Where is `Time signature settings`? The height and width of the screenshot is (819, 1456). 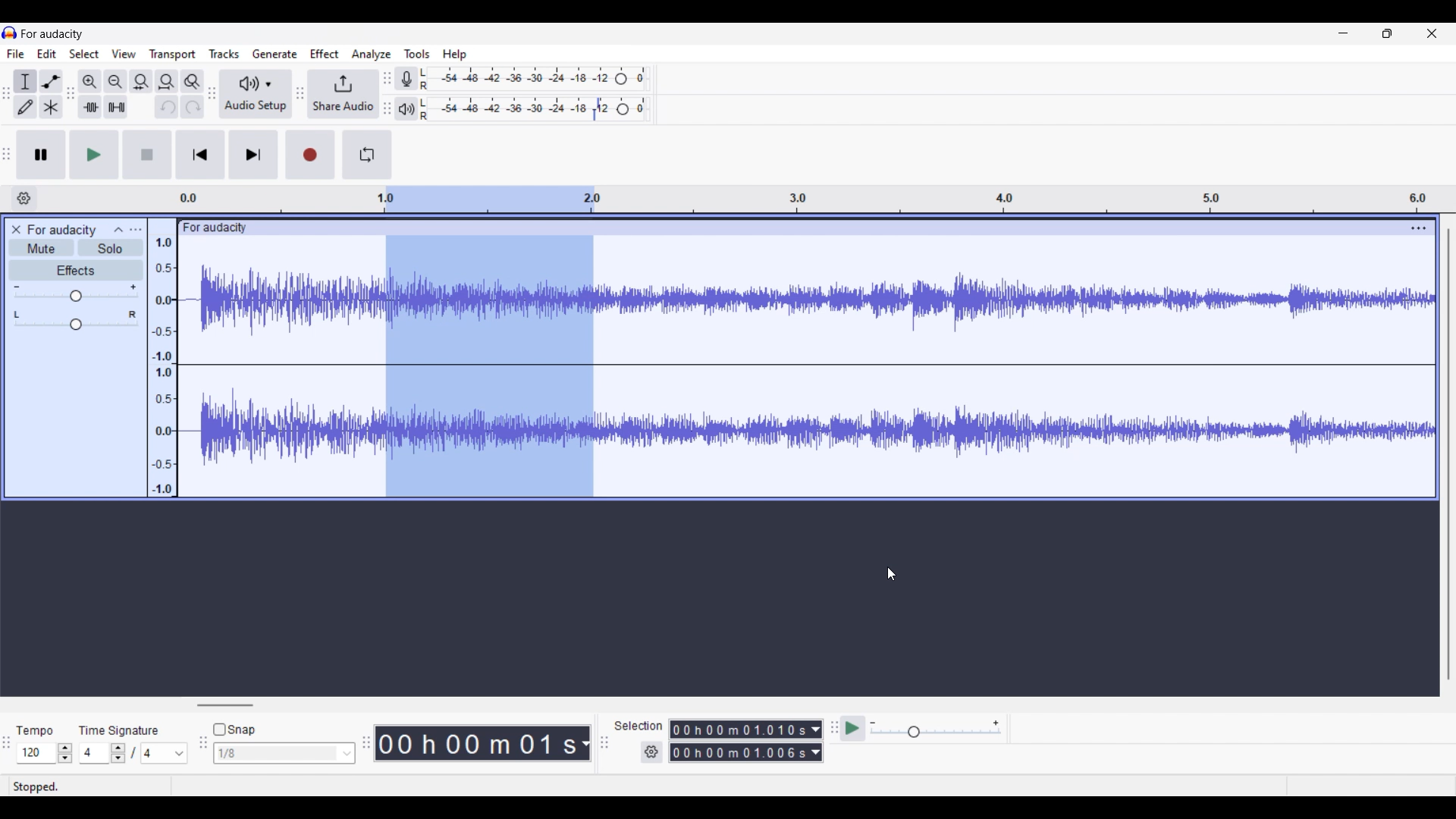
Time signature settings is located at coordinates (133, 753).